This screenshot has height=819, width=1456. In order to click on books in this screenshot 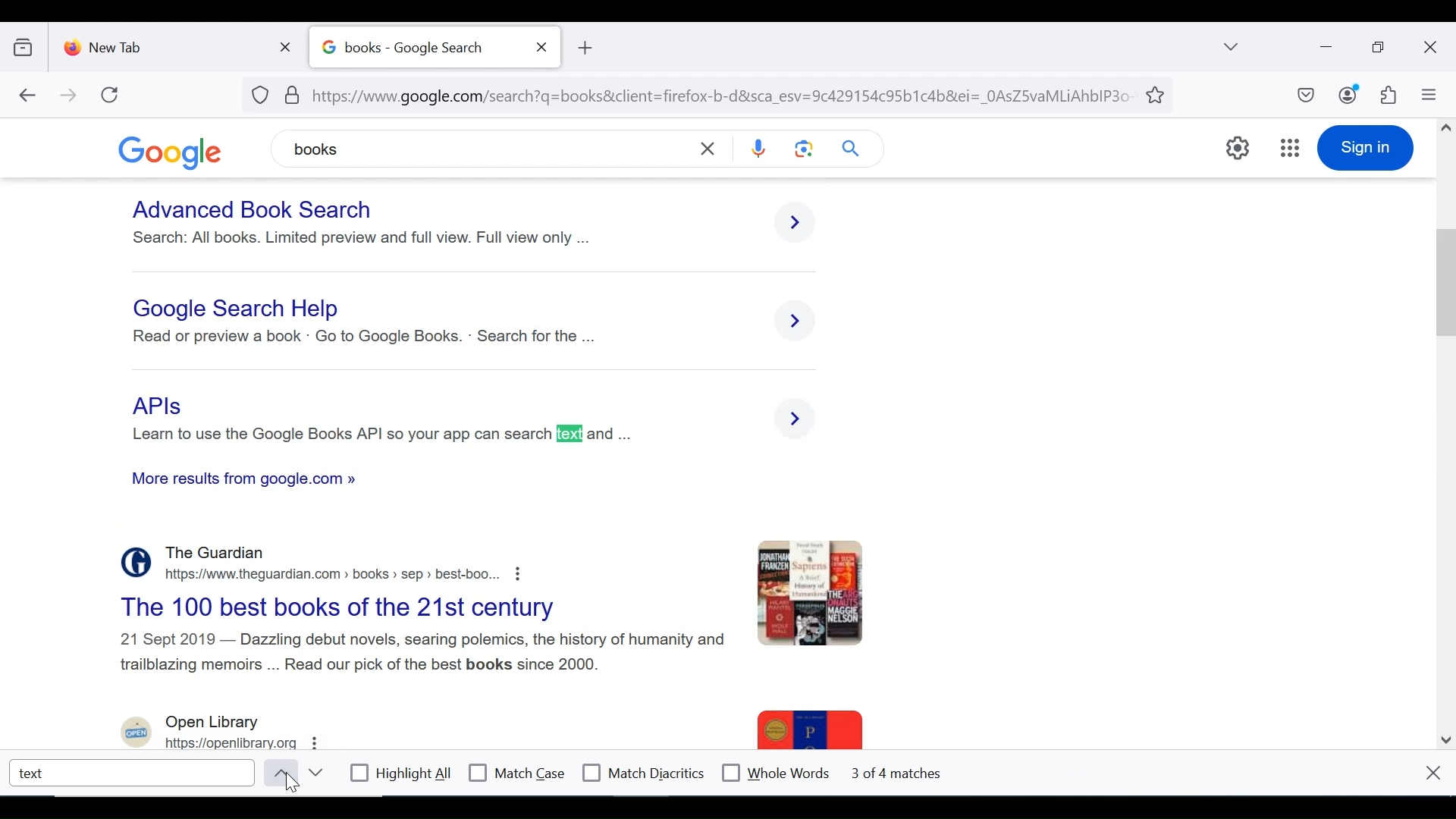, I will do `click(407, 147)`.